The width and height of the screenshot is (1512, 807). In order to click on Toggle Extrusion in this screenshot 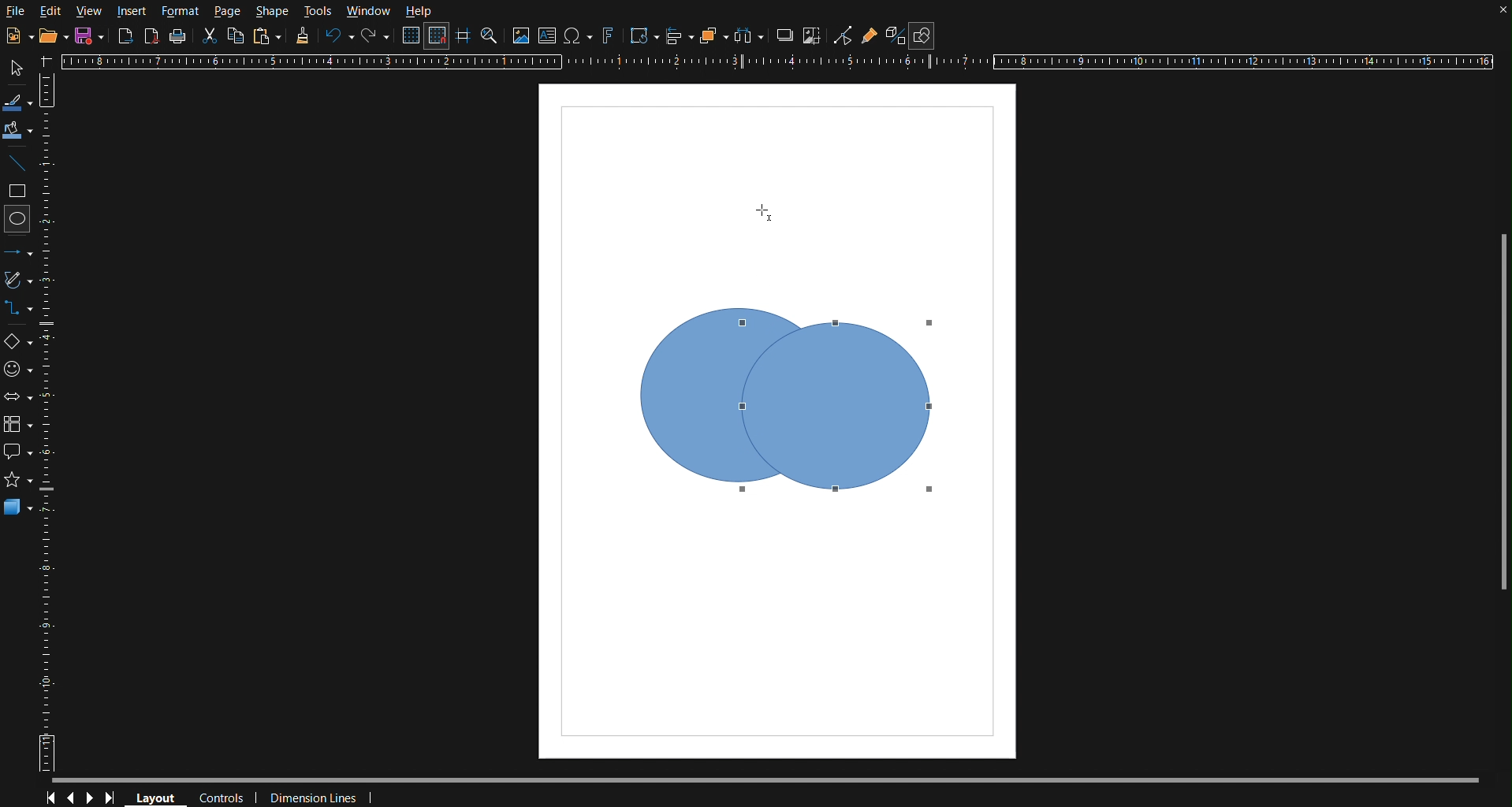, I will do `click(895, 36)`.